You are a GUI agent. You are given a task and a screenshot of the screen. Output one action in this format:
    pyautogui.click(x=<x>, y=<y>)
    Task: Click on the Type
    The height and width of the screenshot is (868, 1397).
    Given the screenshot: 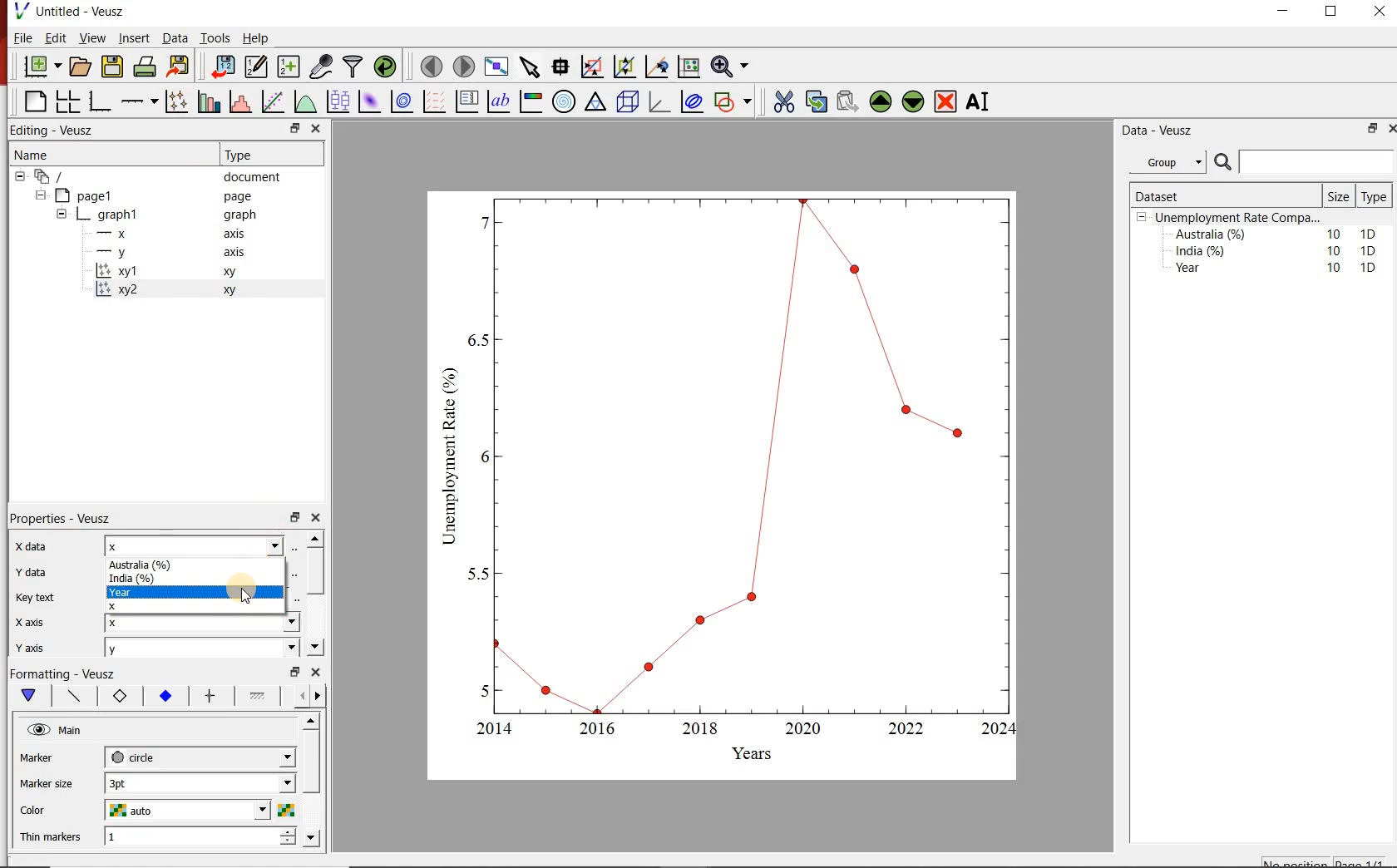 What is the action you would take?
    pyautogui.click(x=260, y=155)
    